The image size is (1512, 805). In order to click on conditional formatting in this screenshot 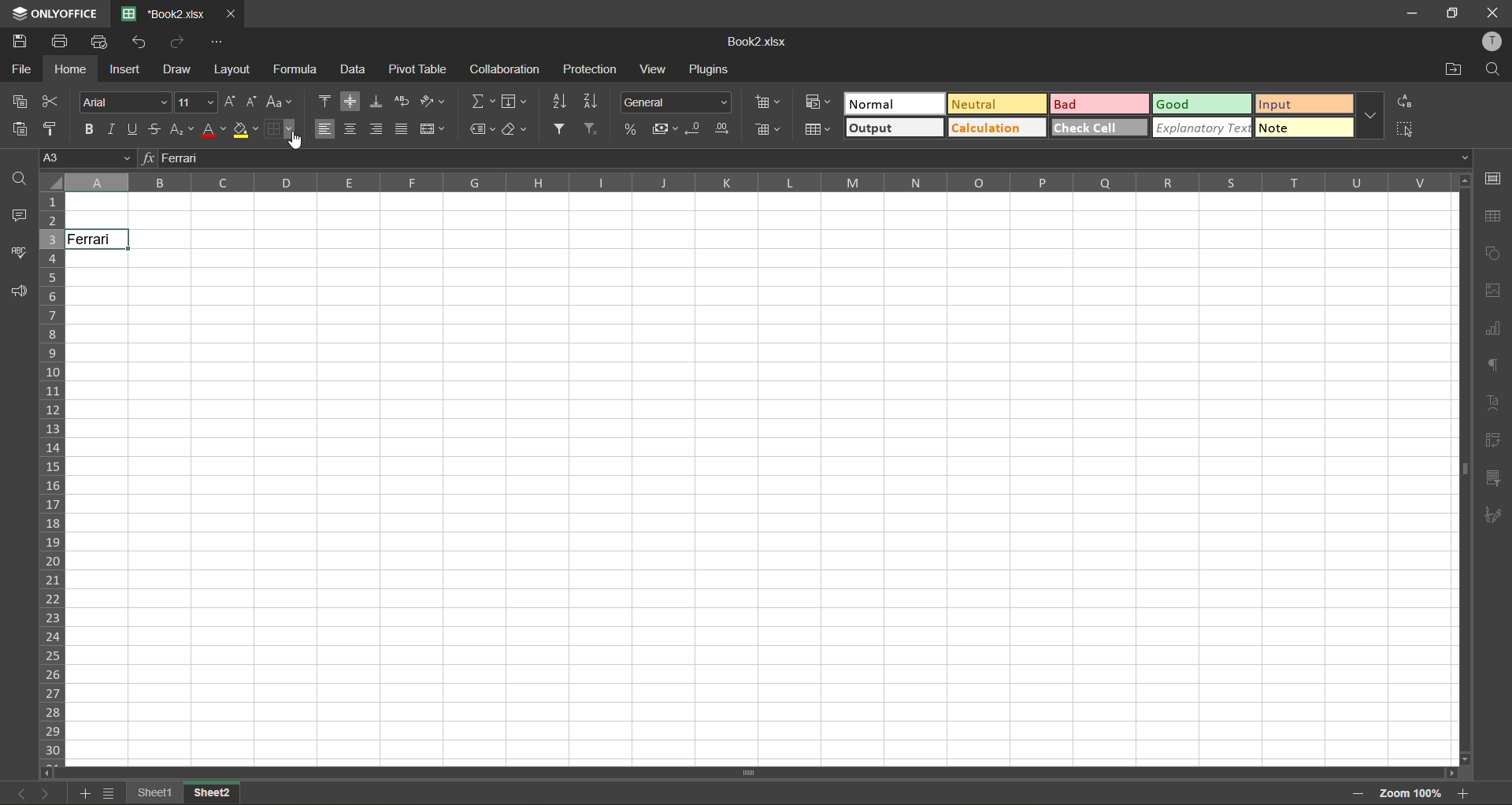, I will do `click(818, 103)`.